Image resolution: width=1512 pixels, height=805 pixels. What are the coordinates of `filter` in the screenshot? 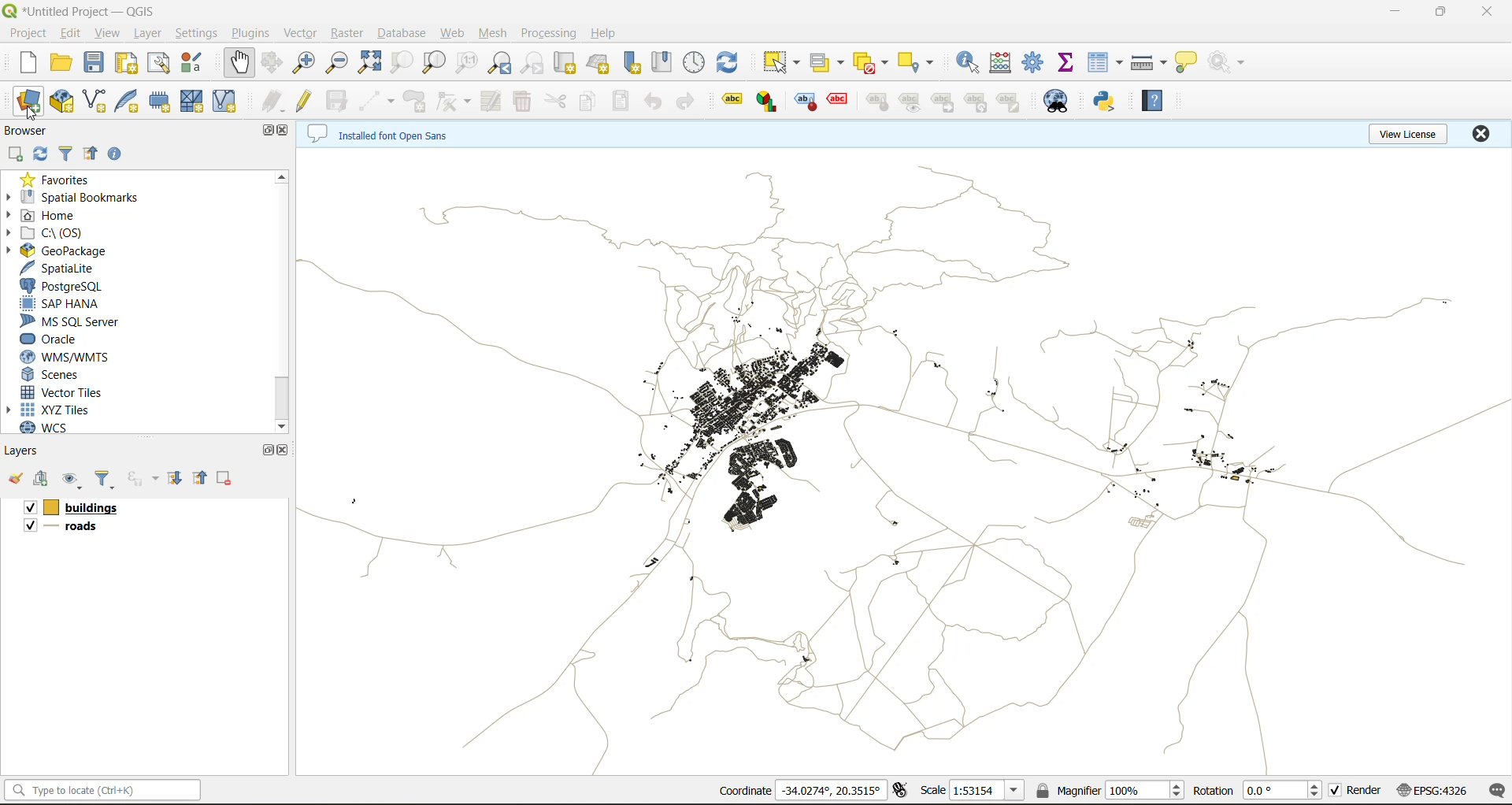 It's located at (105, 480).